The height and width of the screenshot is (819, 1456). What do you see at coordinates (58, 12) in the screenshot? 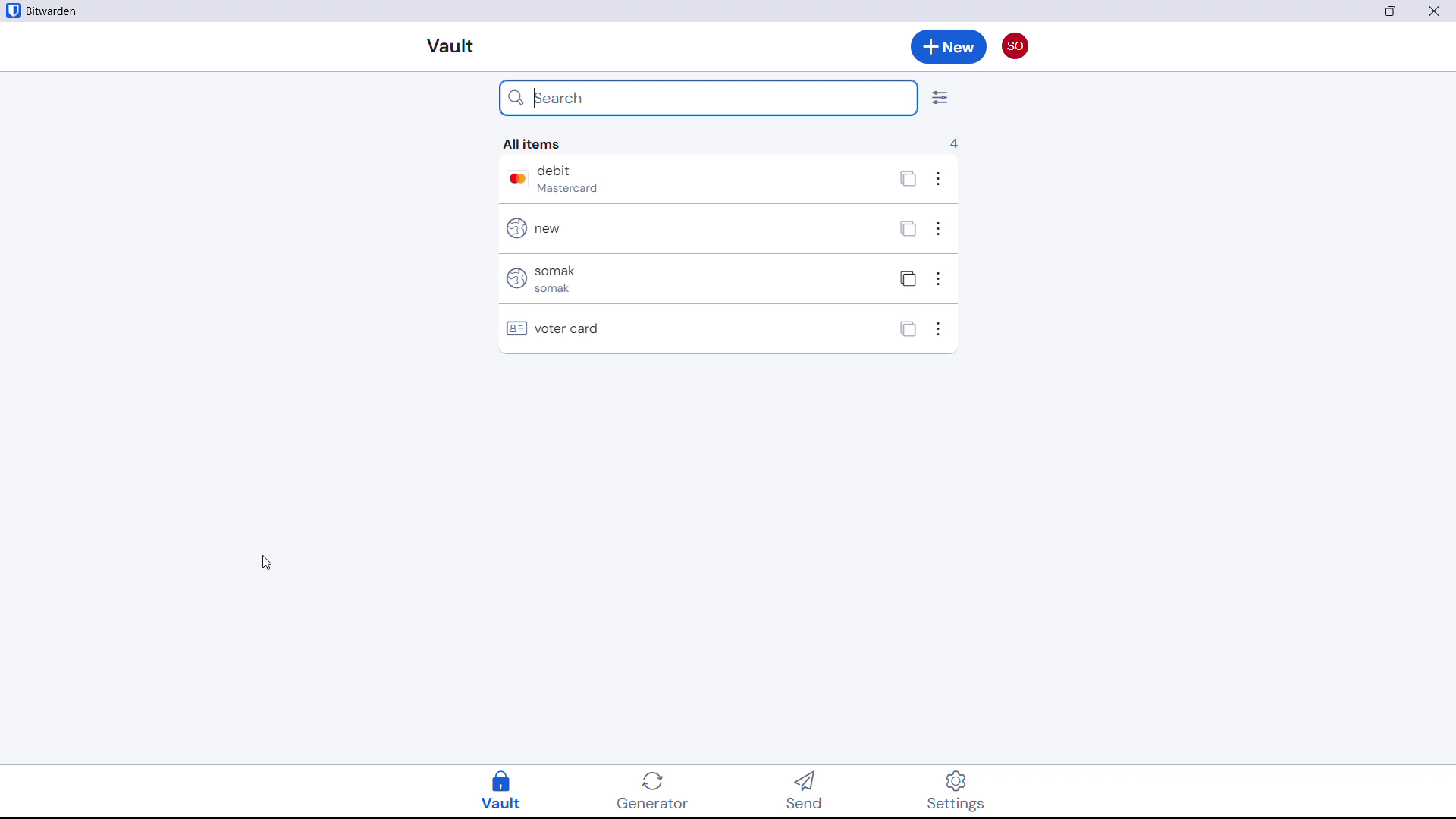
I see `bitwarden` at bounding box center [58, 12].